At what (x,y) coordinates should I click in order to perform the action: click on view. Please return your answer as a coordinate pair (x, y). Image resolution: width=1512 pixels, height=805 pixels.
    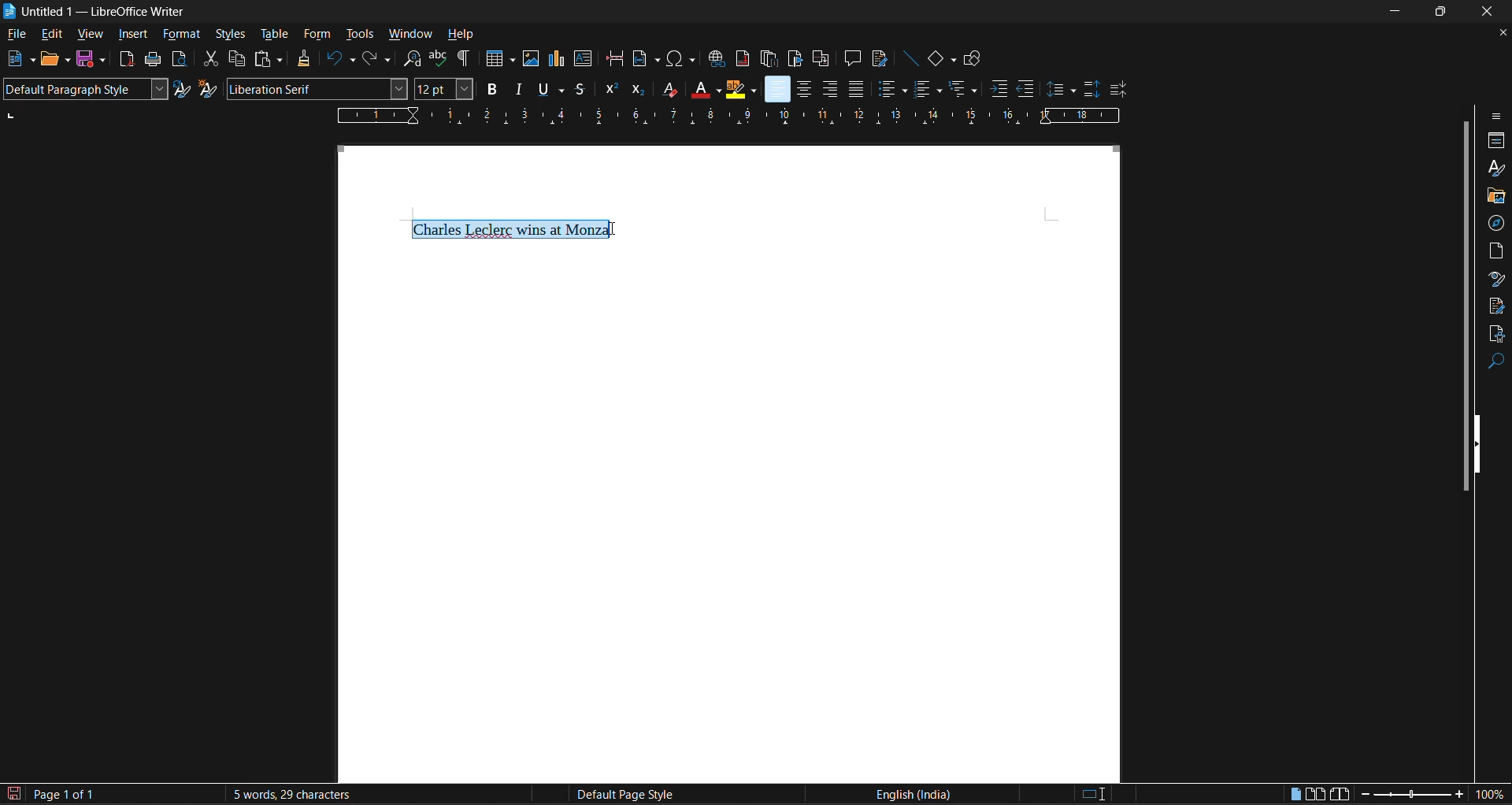
    Looking at the image, I should click on (88, 36).